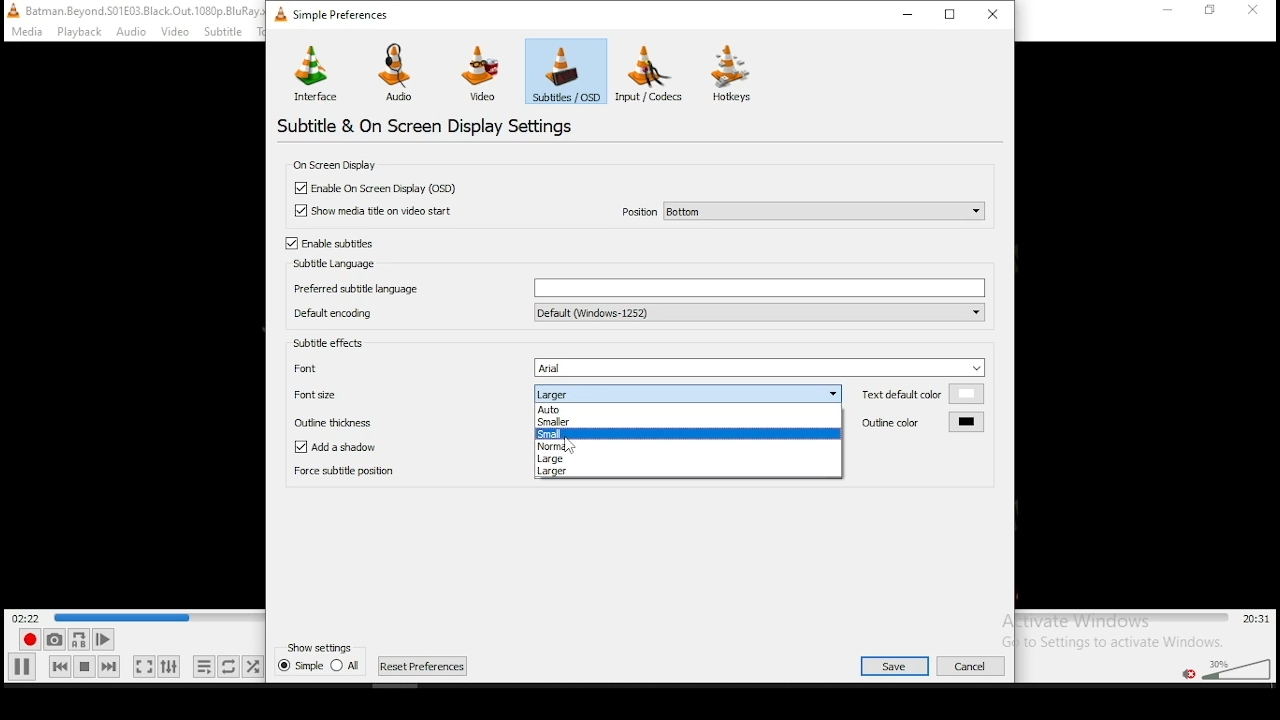 The height and width of the screenshot is (720, 1280). Describe the element at coordinates (1235, 667) in the screenshot. I see `volume` at that location.